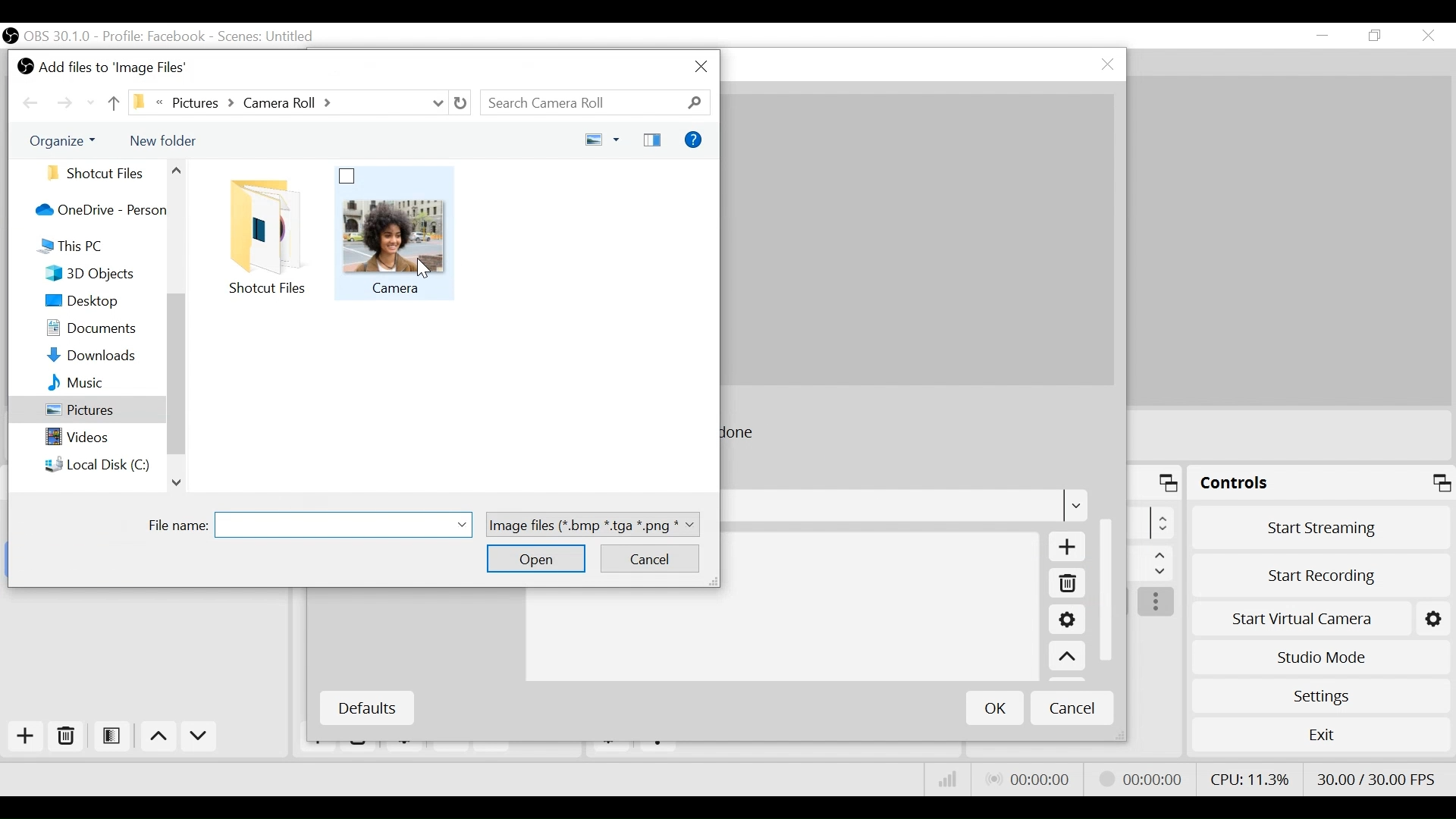 The height and width of the screenshot is (819, 1456). What do you see at coordinates (103, 357) in the screenshot?
I see `Downloads` at bounding box center [103, 357].